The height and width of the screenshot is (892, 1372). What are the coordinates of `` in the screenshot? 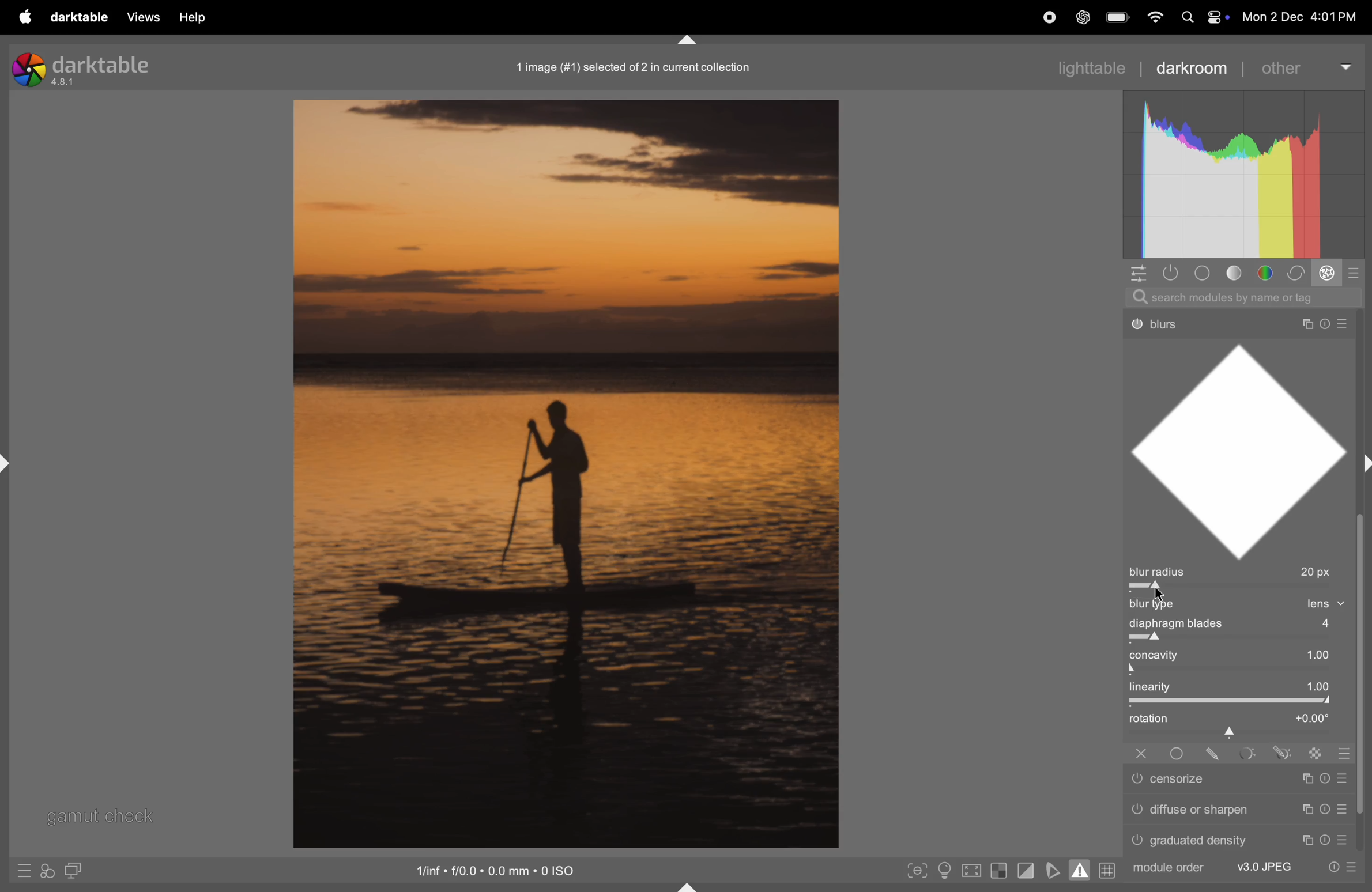 It's located at (1317, 753).